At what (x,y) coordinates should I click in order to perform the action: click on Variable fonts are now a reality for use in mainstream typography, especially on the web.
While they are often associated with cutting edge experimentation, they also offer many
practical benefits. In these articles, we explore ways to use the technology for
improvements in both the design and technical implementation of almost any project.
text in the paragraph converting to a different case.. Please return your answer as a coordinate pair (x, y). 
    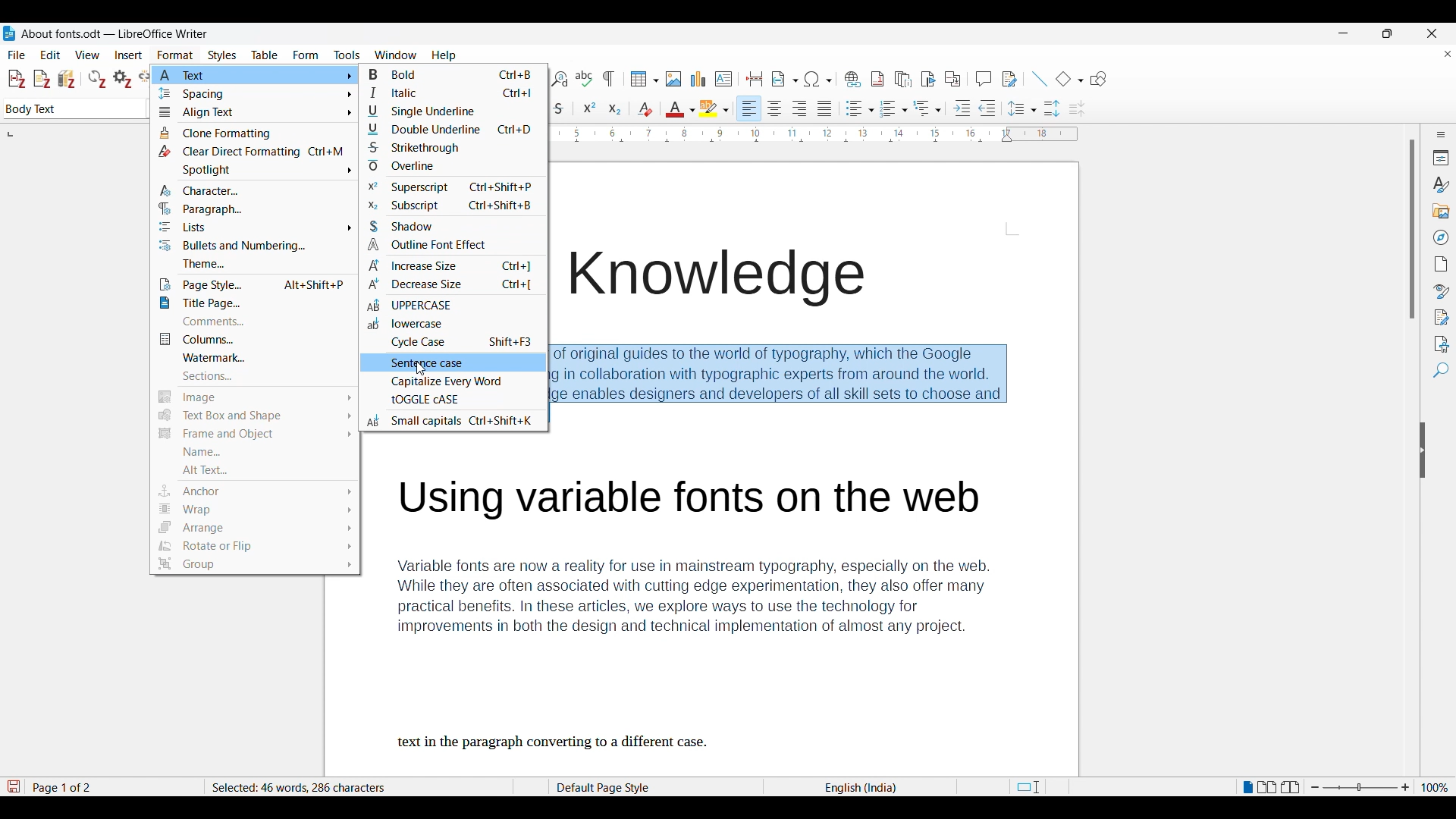
    Looking at the image, I should click on (712, 614).